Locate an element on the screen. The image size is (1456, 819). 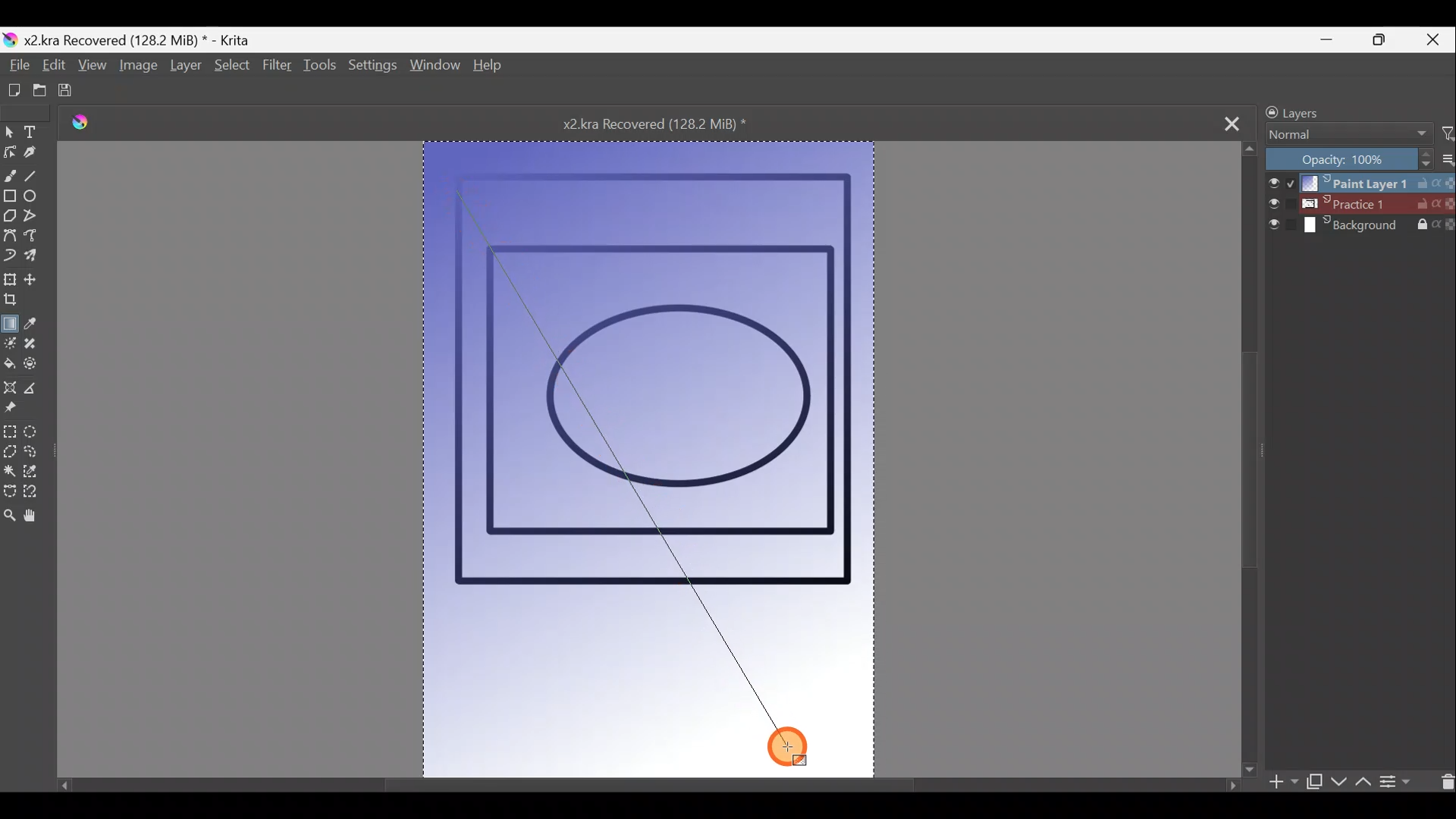
Add layer/mask is located at coordinates (1285, 783).